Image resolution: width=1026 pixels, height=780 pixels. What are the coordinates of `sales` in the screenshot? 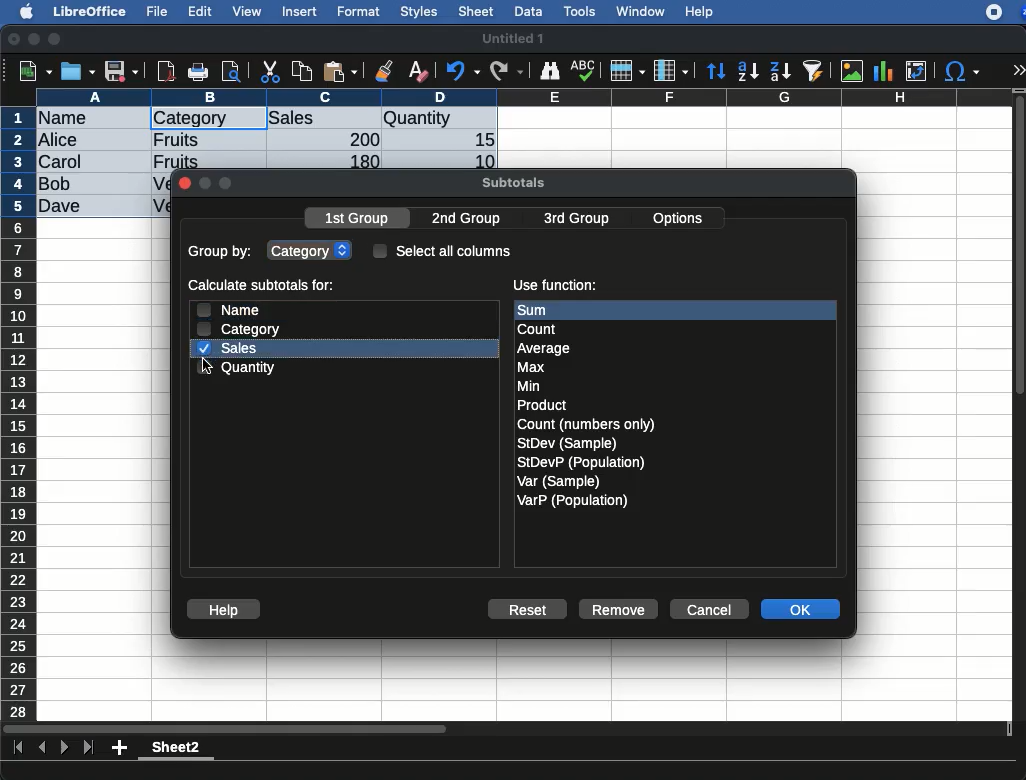 It's located at (231, 348).